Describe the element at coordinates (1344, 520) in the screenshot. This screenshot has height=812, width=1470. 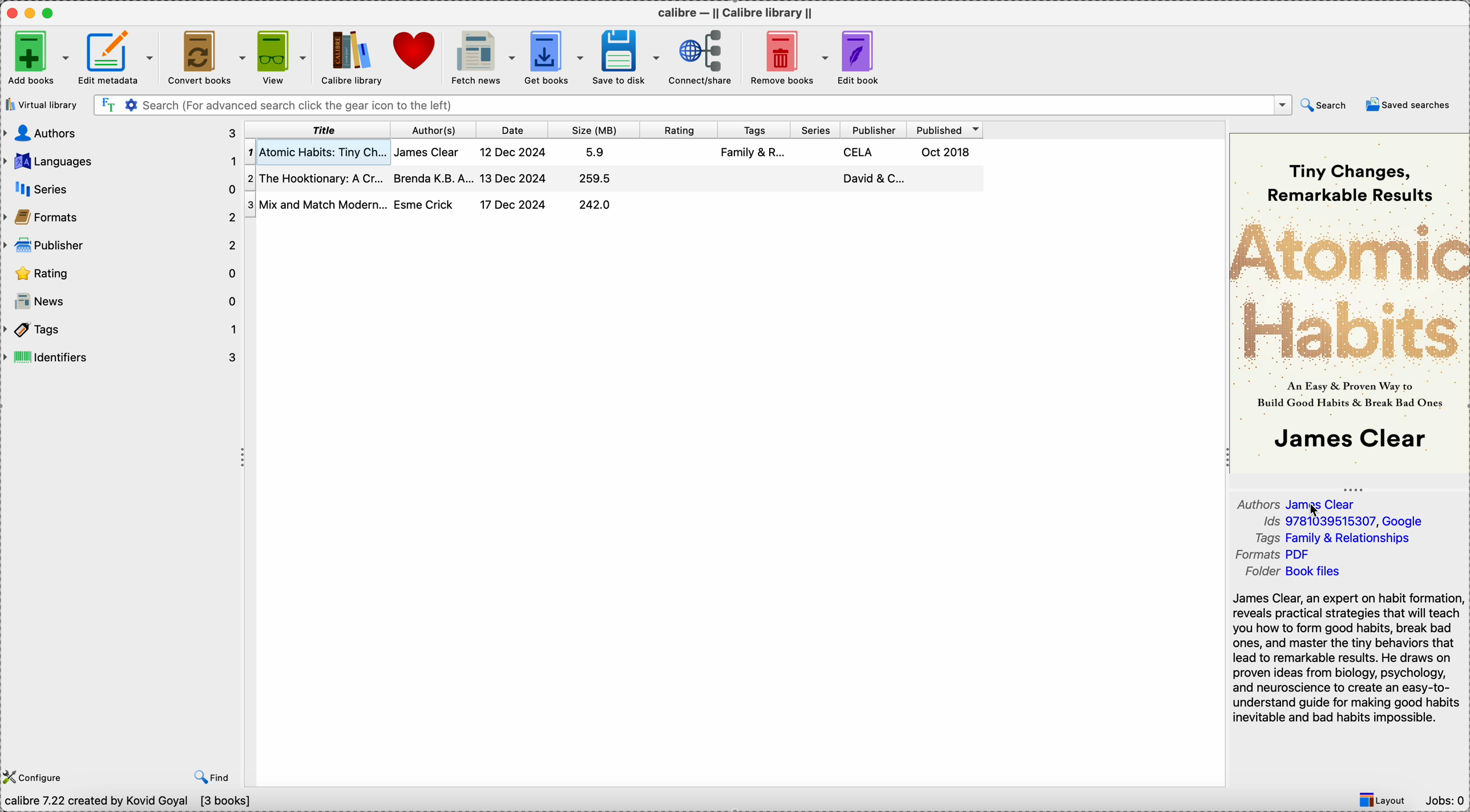
I see `Ids 9781039515307, Google` at that location.